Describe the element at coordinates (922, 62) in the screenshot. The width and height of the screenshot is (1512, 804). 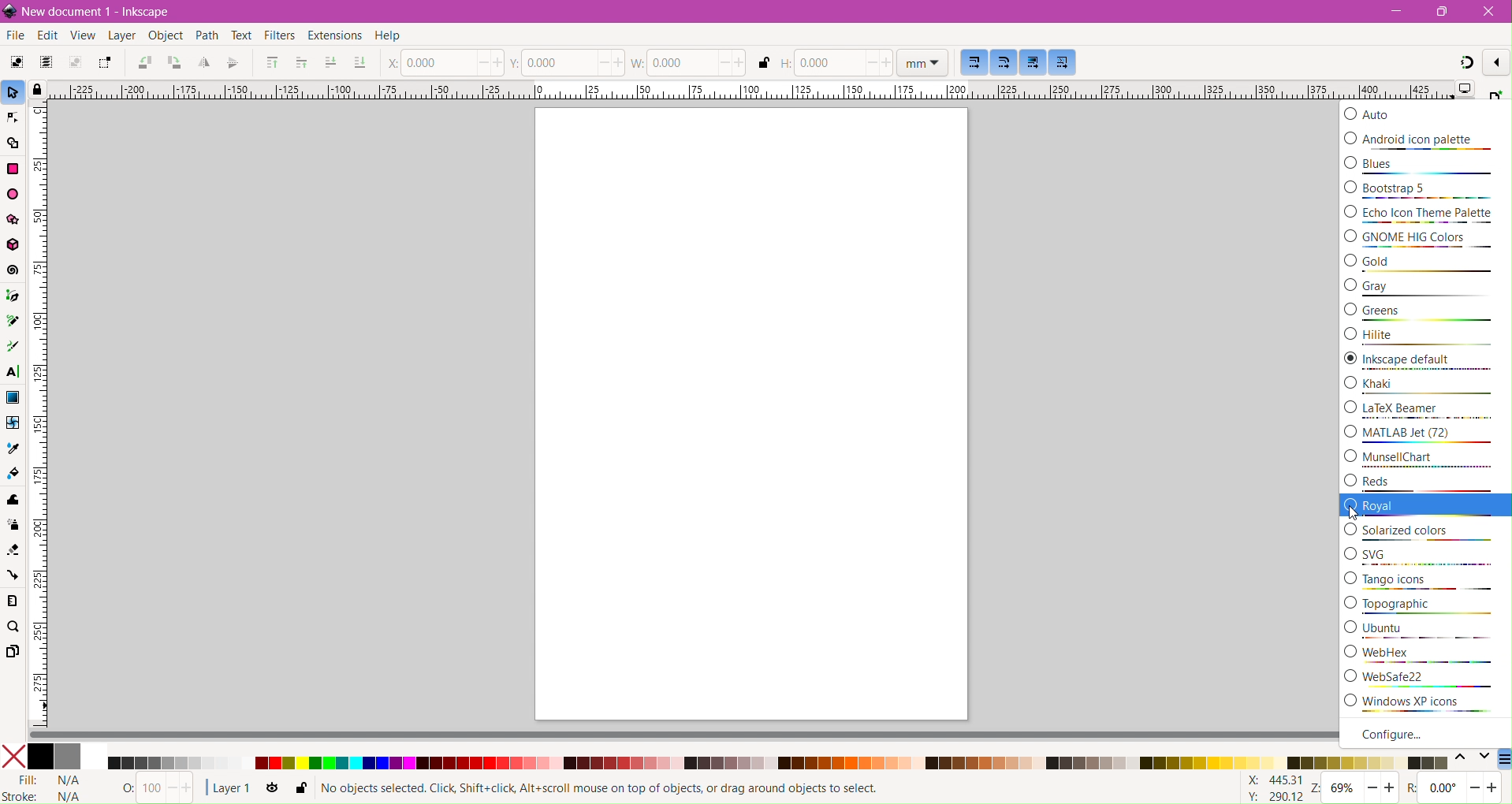
I see `Set Ruler dimension` at that location.